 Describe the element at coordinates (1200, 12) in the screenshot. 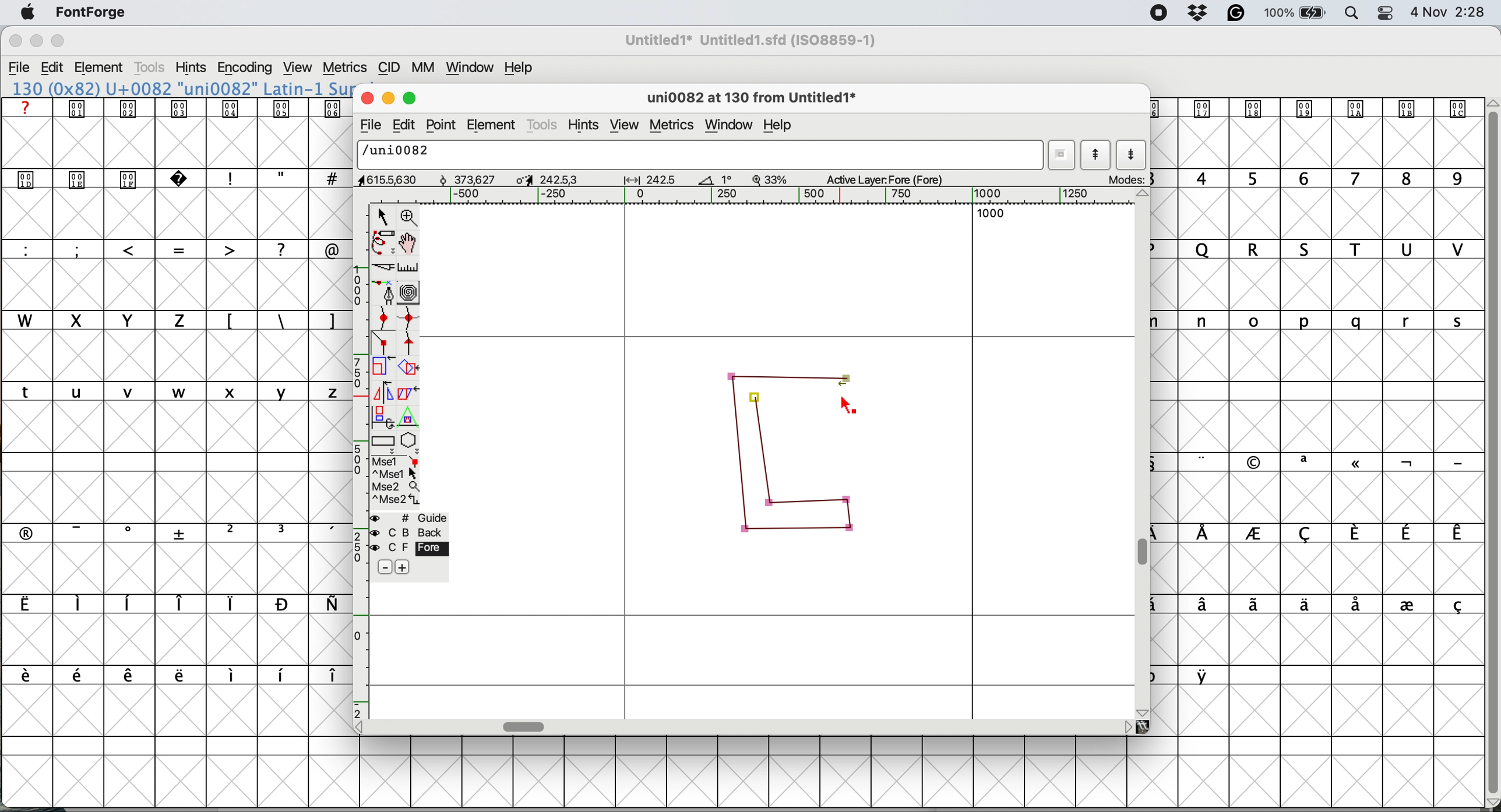

I see `dropbox` at that location.